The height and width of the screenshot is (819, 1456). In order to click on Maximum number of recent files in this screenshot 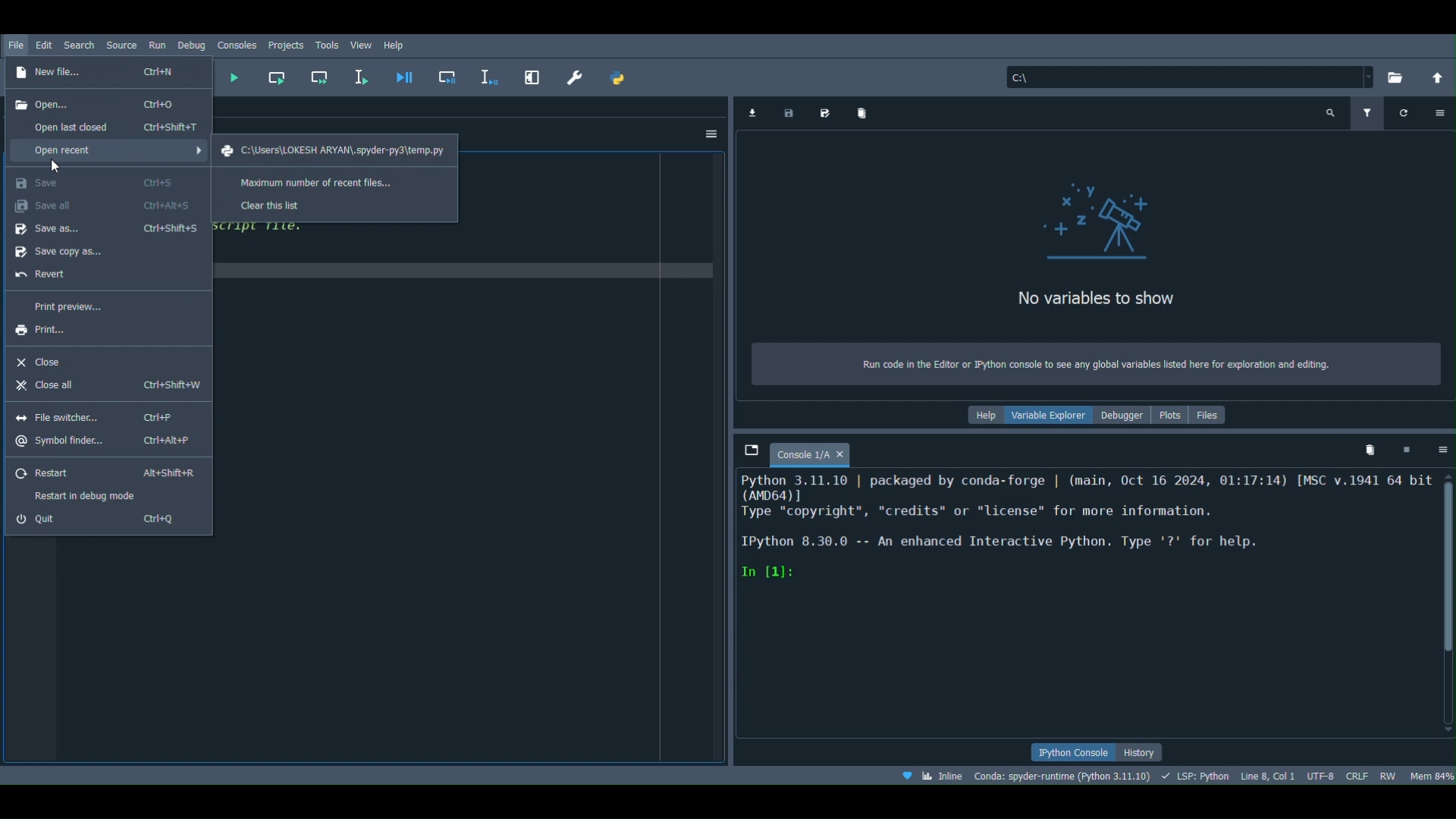, I will do `click(320, 181)`.